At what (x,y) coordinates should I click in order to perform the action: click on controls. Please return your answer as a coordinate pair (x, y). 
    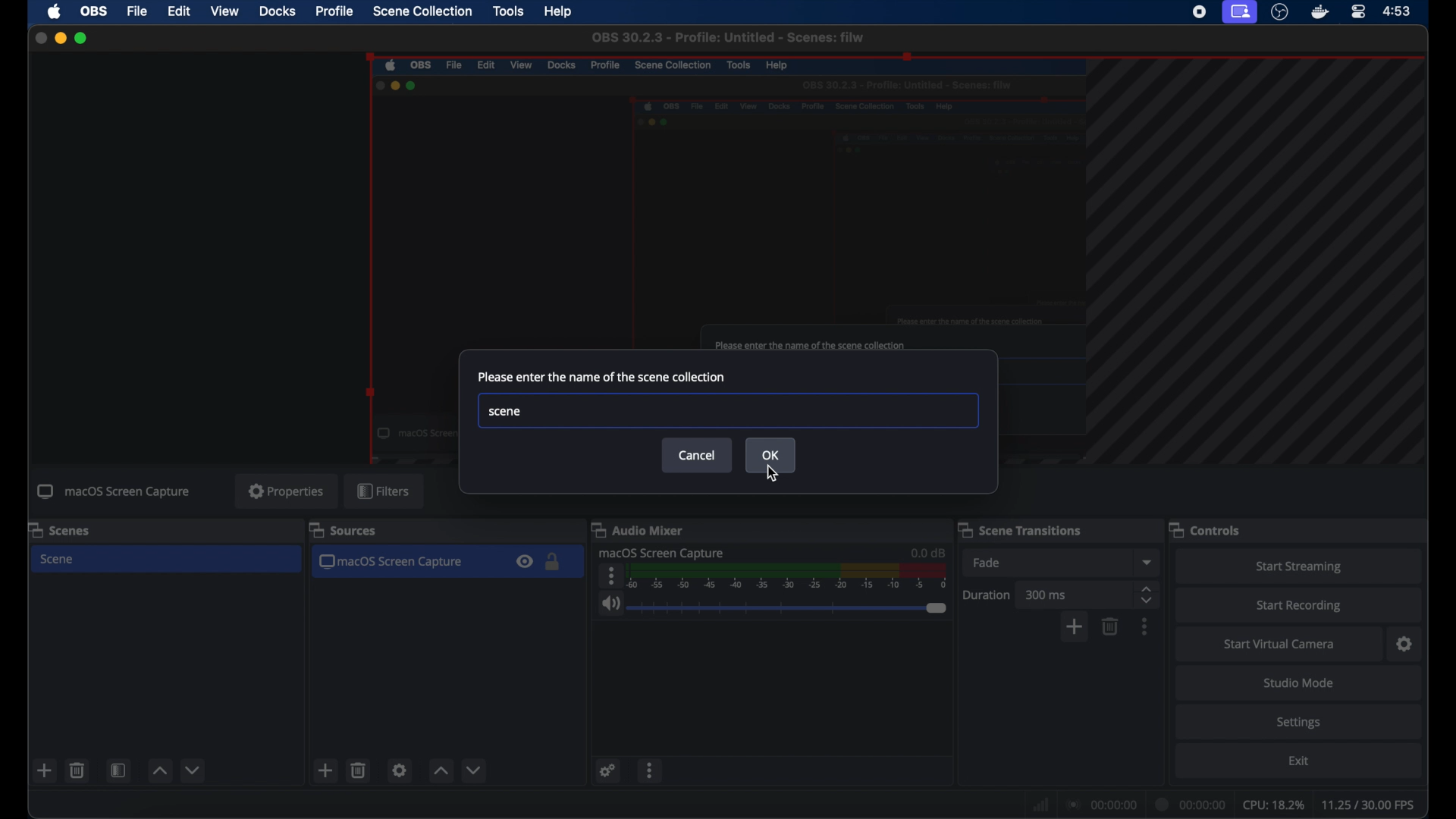
    Looking at the image, I should click on (1207, 529).